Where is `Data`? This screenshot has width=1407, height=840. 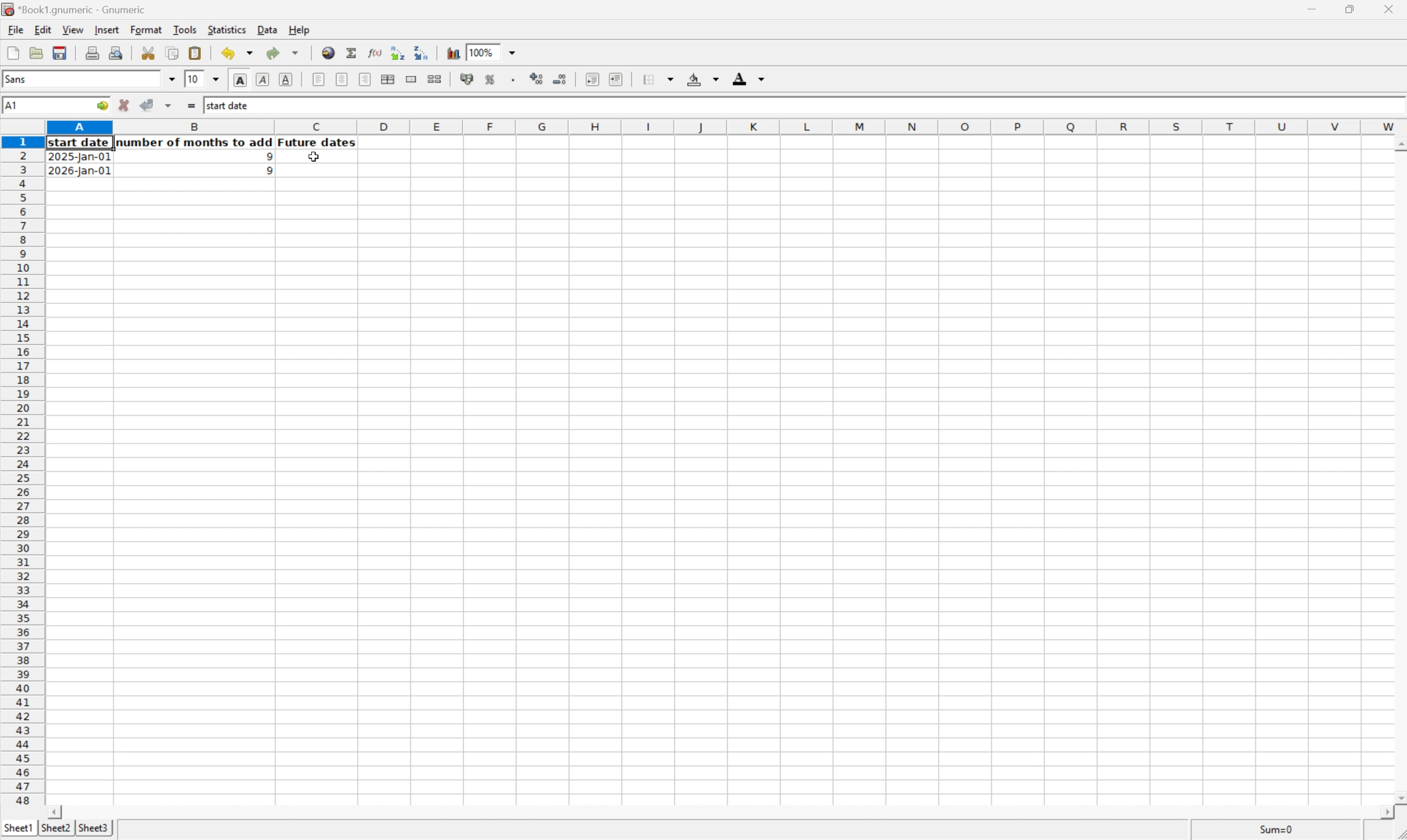
Data is located at coordinates (267, 29).